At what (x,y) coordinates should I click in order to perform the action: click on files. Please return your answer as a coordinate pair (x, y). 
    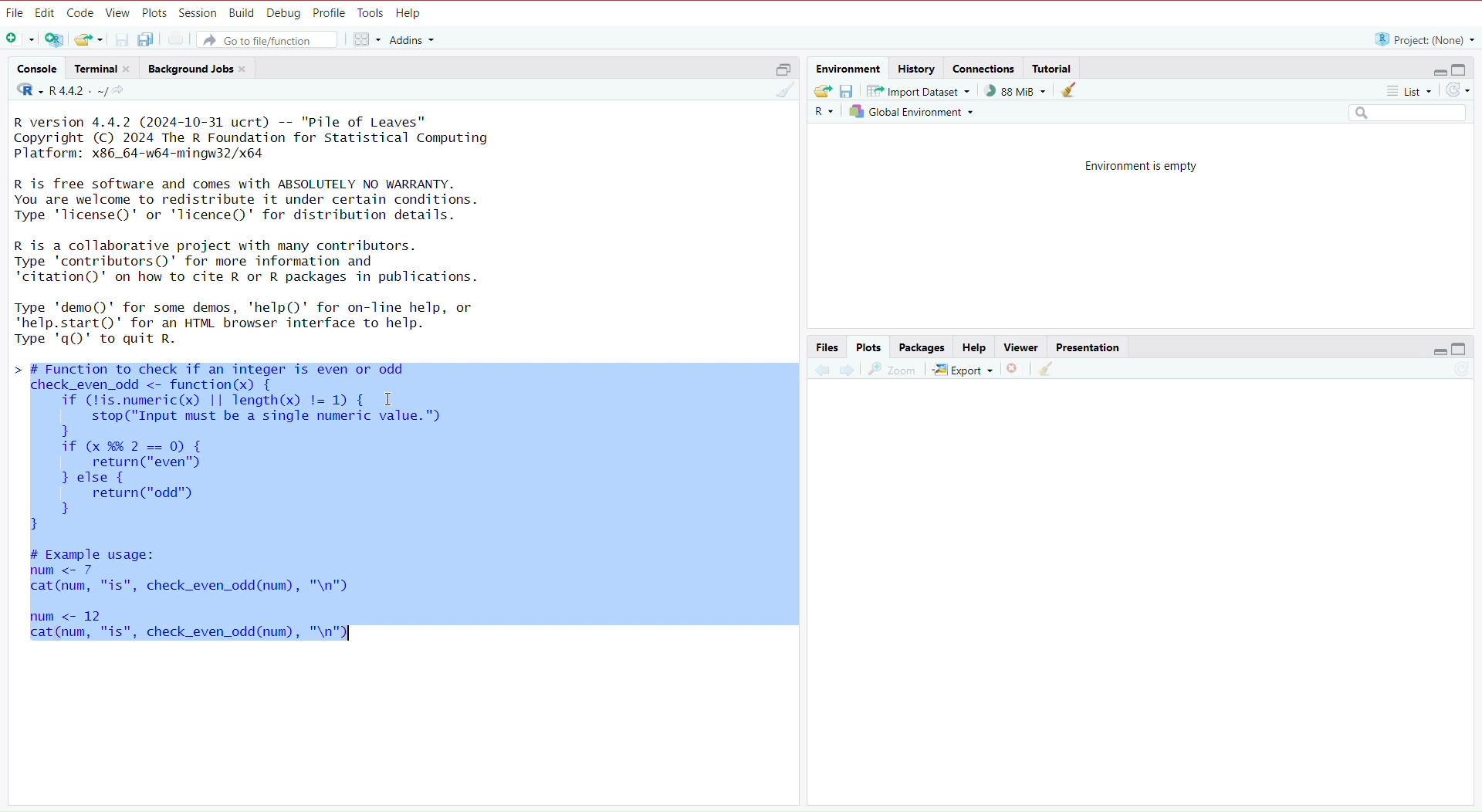
    Looking at the image, I should click on (827, 347).